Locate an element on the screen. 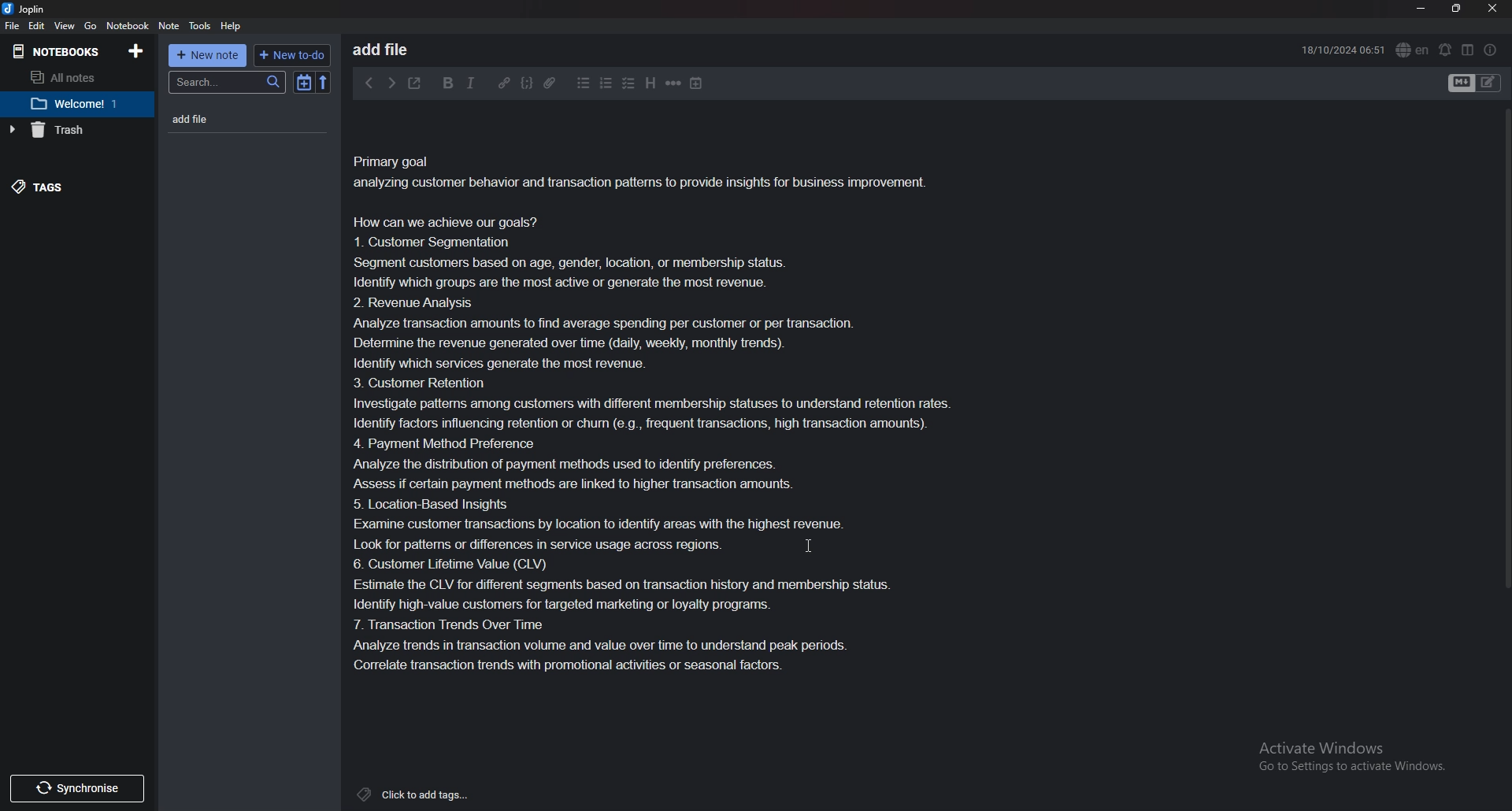 The height and width of the screenshot is (811, 1512). Checkbox is located at coordinates (627, 84).